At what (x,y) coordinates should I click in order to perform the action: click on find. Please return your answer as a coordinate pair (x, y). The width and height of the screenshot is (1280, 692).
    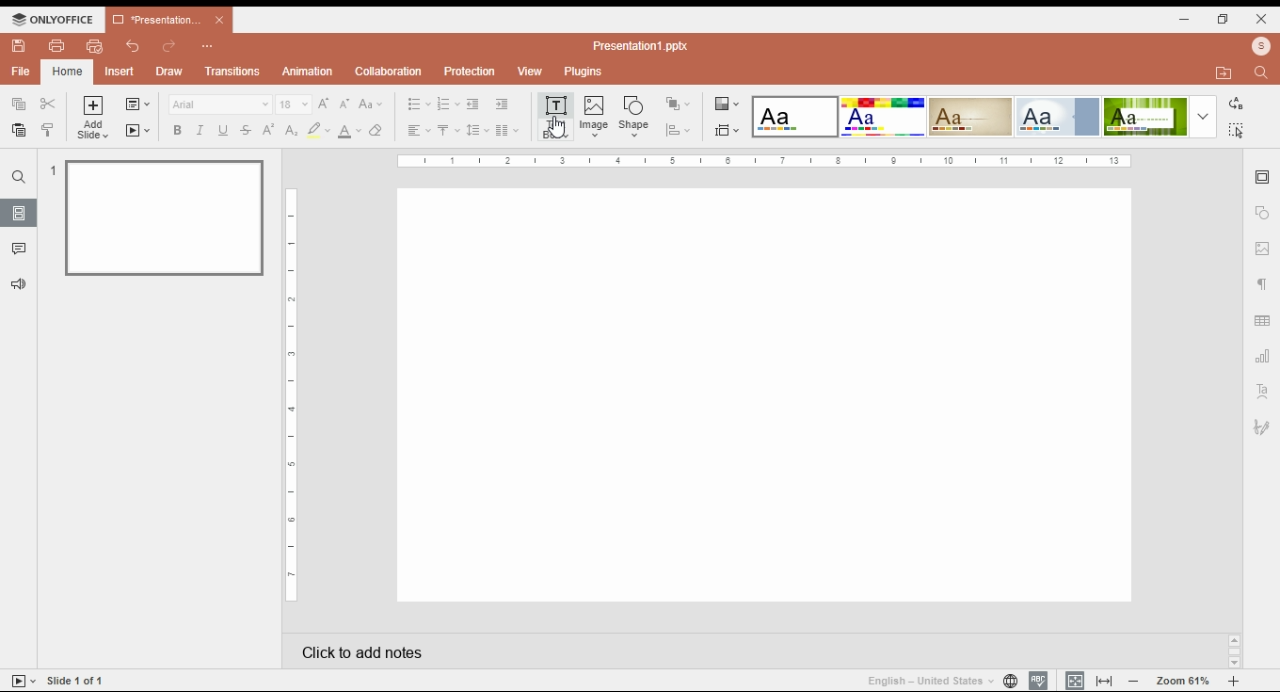
    Looking at the image, I should click on (1238, 130).